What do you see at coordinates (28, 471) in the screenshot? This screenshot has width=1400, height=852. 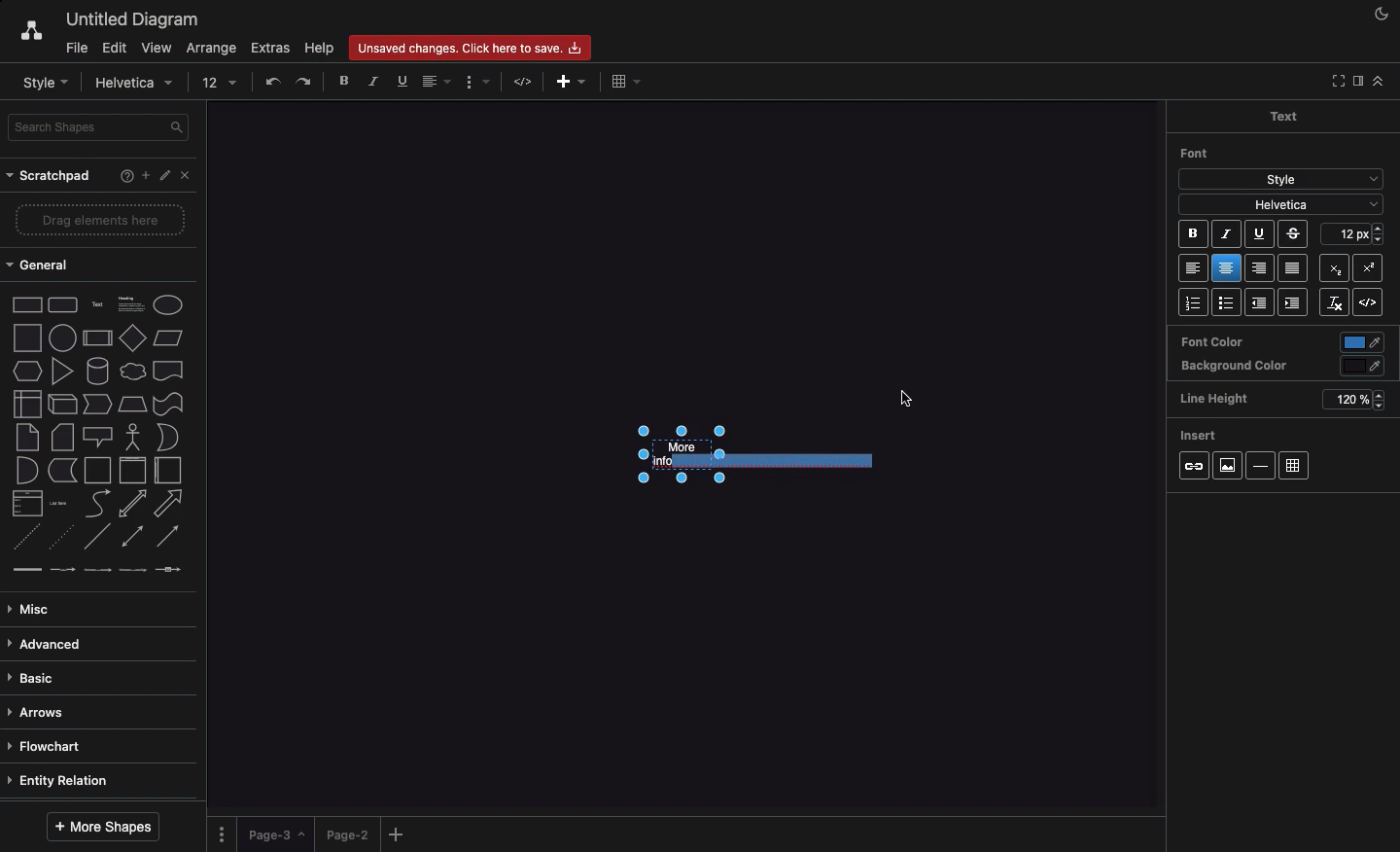 I see `and` at bounding box center [28, 471].